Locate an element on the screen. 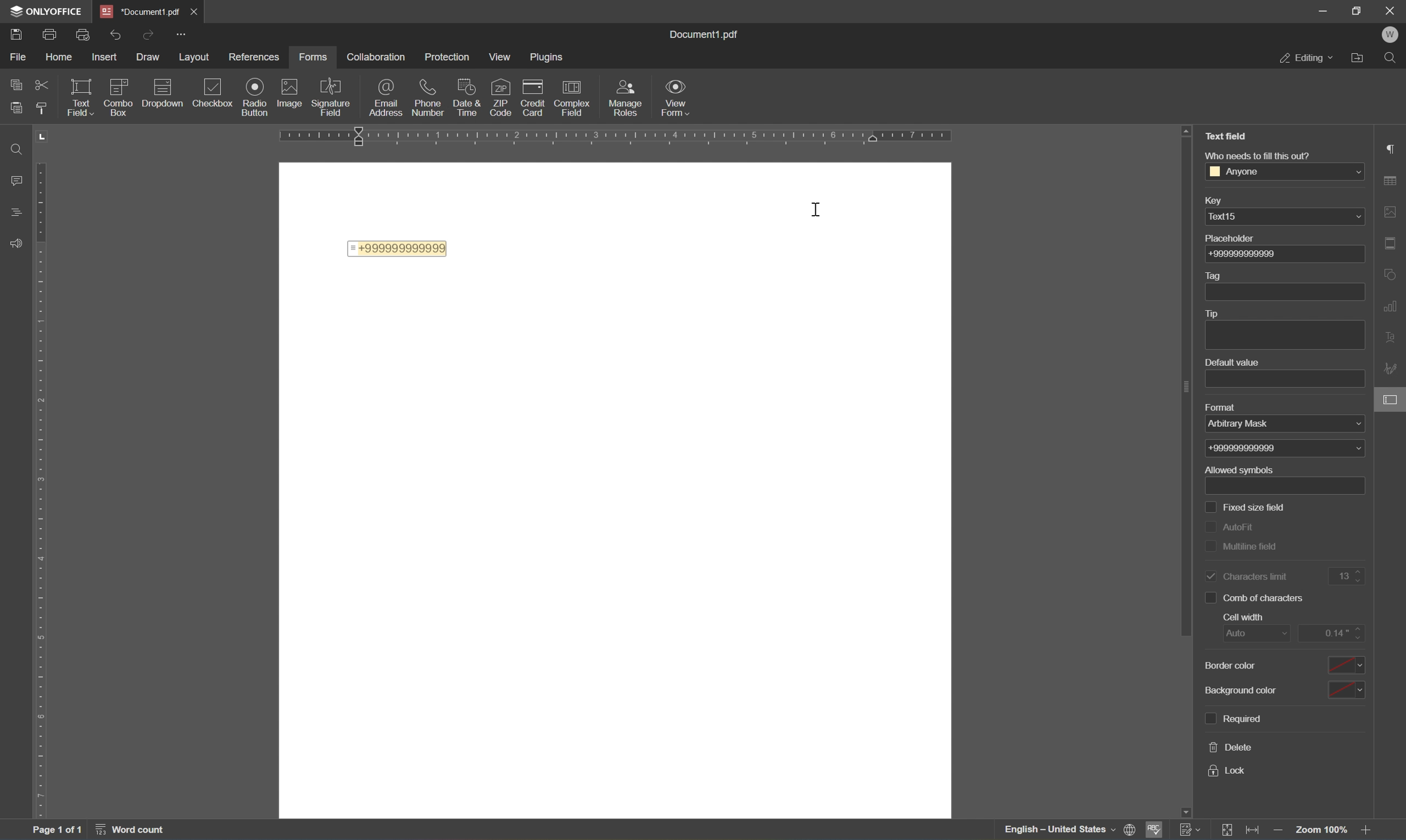  Multiline field is located at coordinates (1245, 548).